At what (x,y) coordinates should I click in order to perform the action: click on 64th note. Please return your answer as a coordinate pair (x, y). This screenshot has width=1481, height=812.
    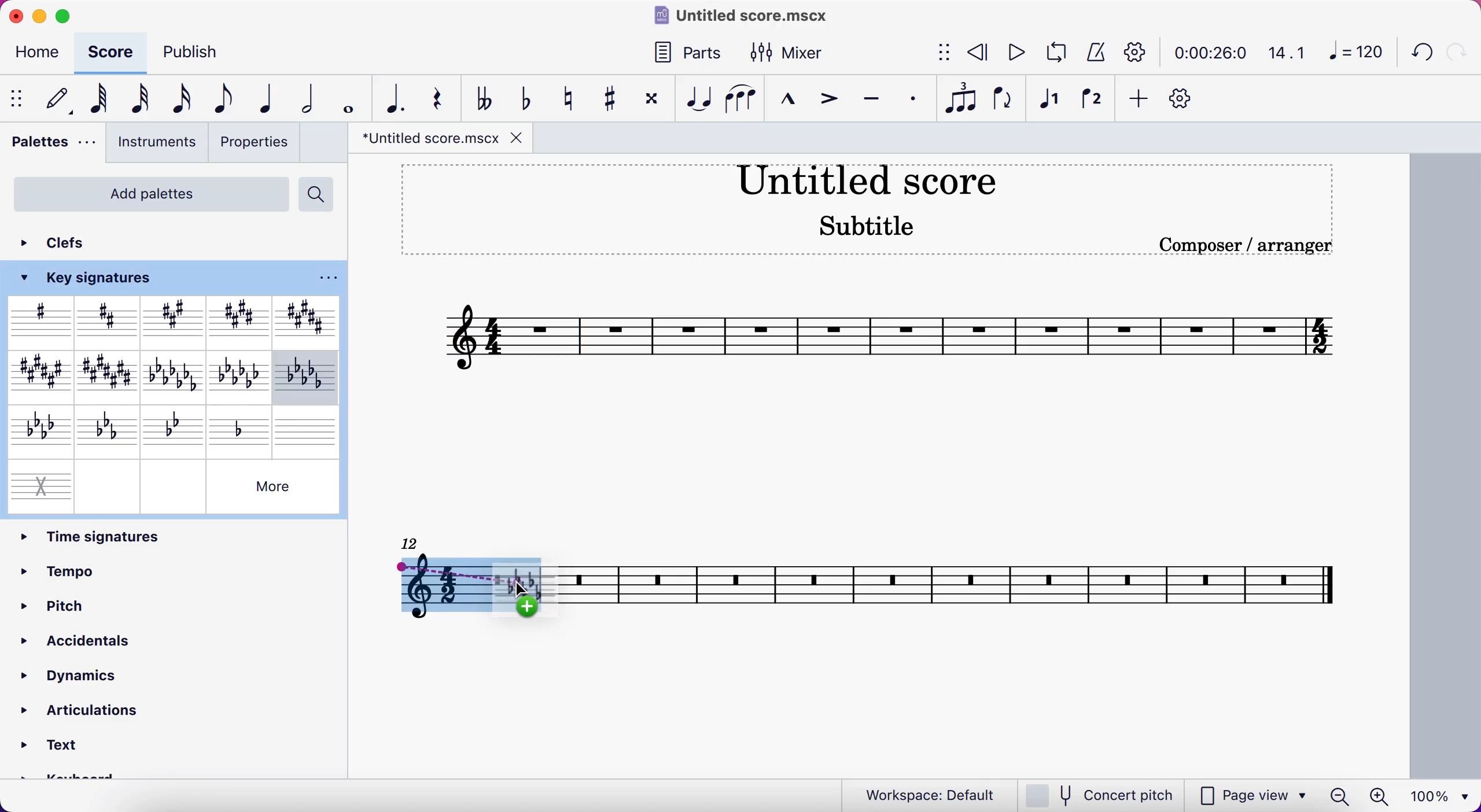
    Looking at the image, I should click on (101, 102).